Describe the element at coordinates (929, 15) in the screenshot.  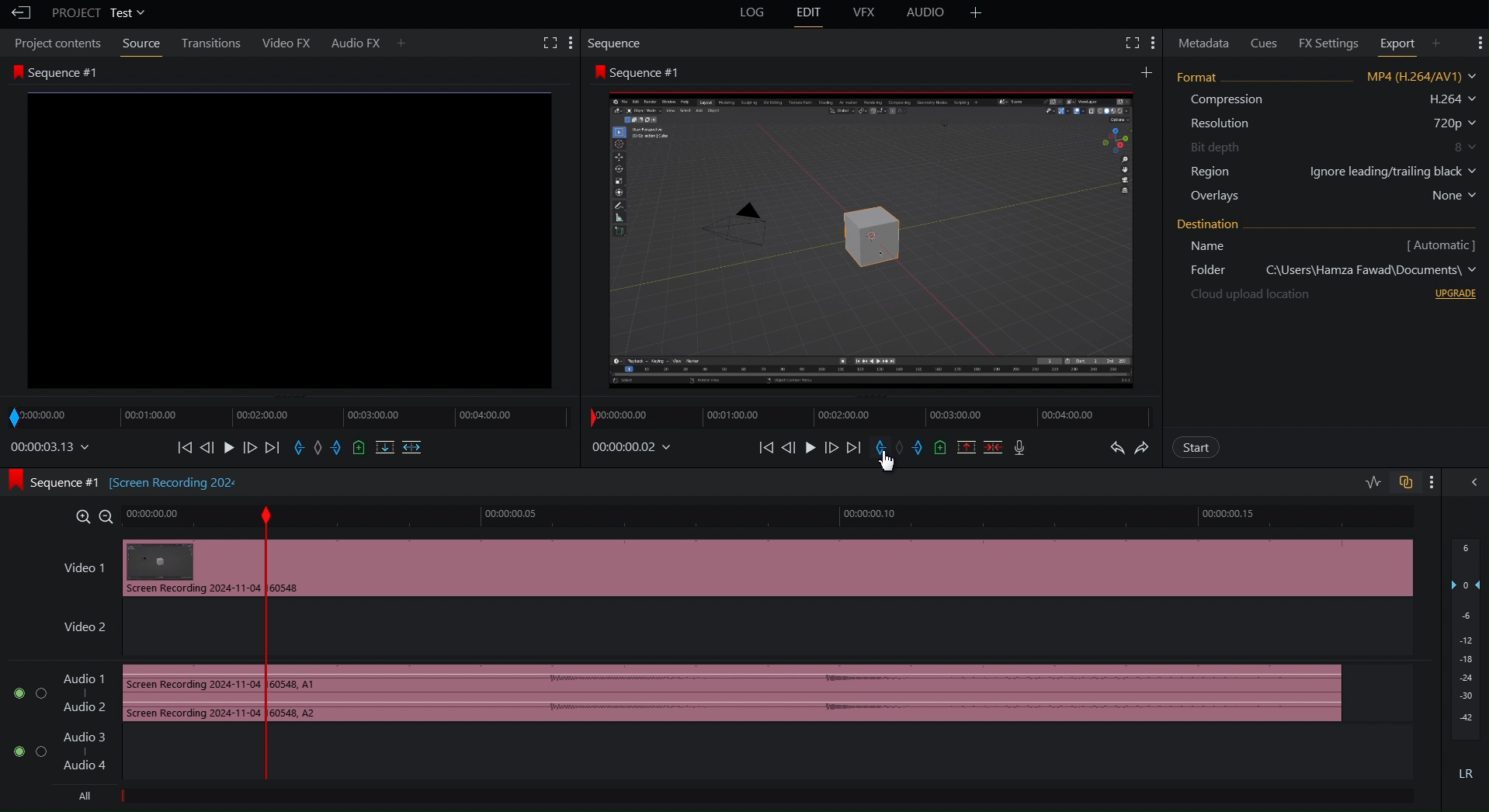
I see `Audio` at that location.